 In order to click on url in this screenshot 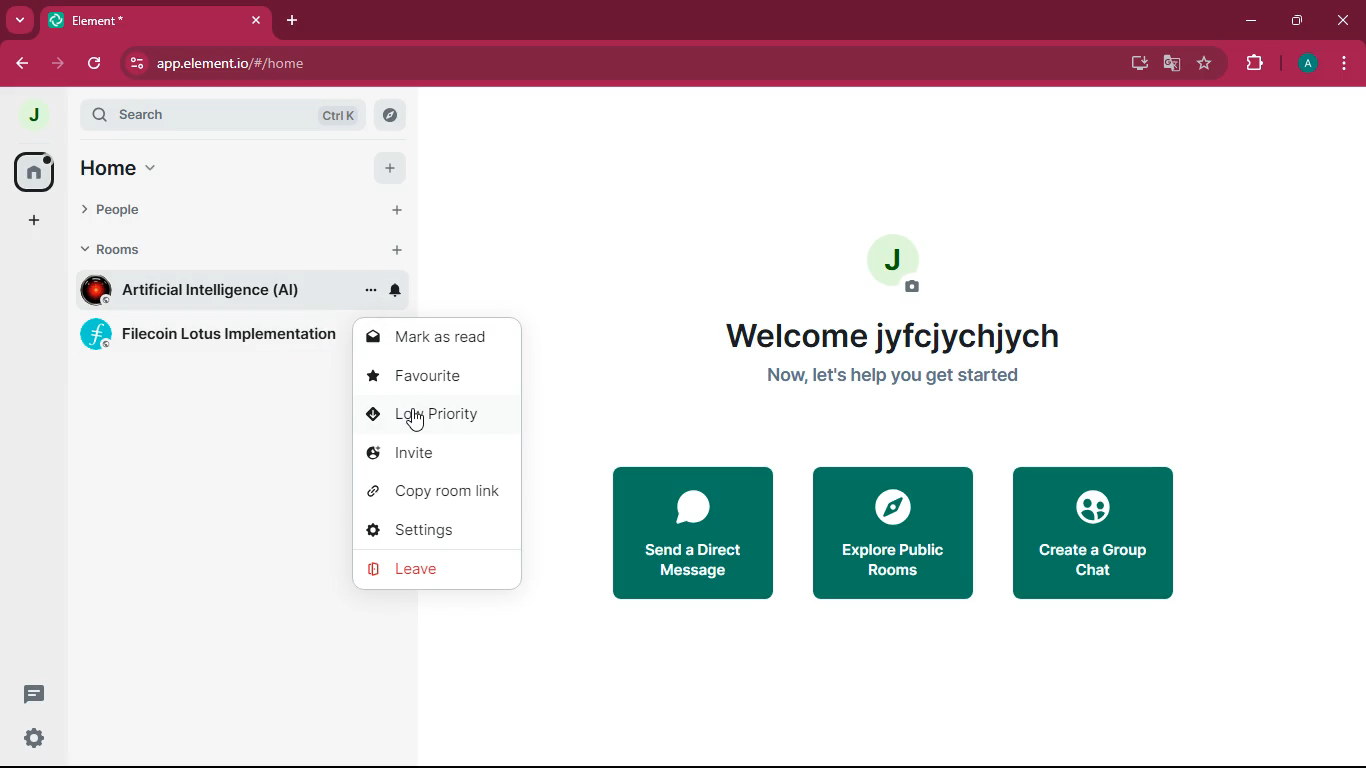, I will do `click(231, 64)`.